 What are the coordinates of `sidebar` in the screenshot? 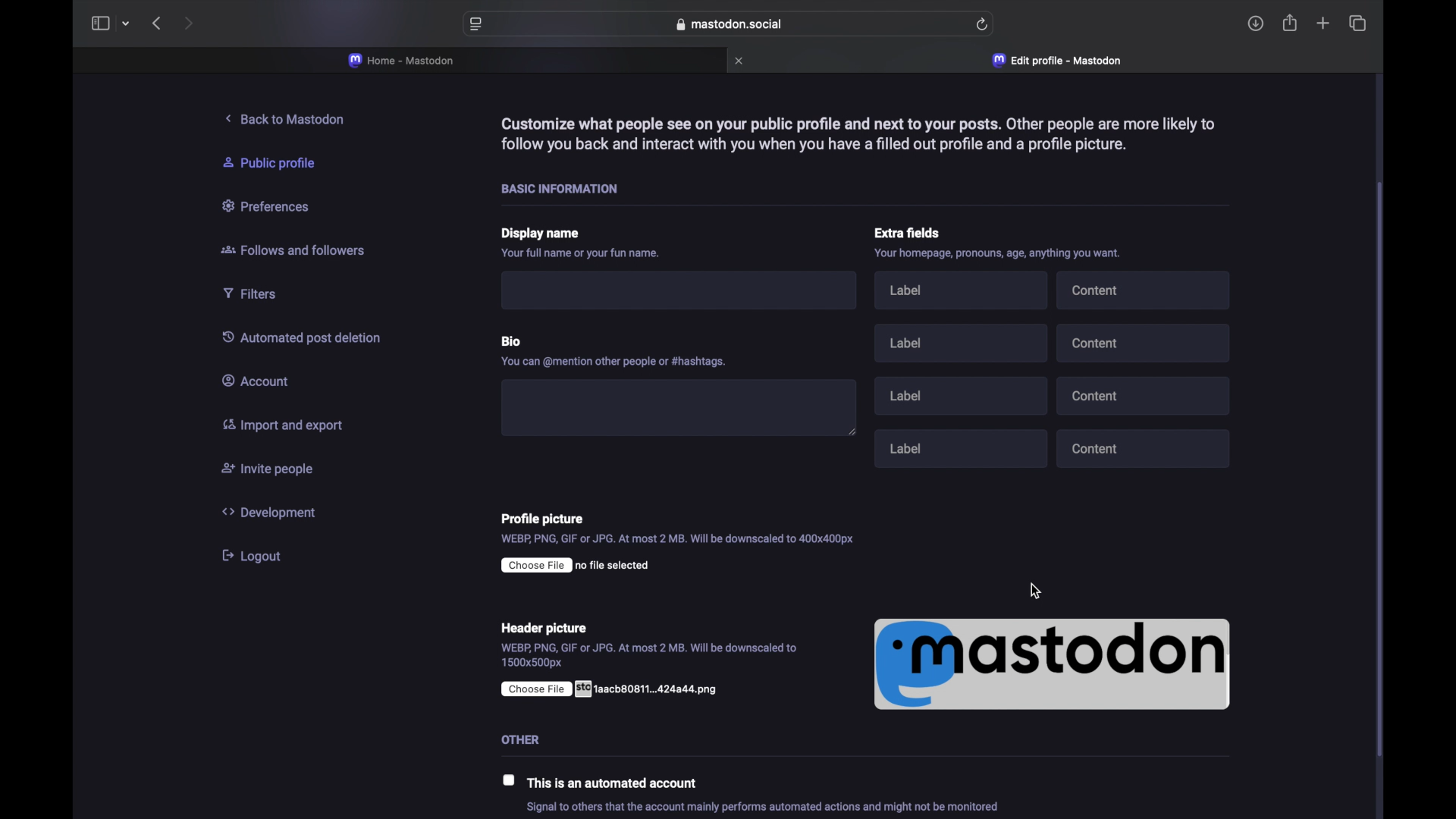 It's located at (99, 24).